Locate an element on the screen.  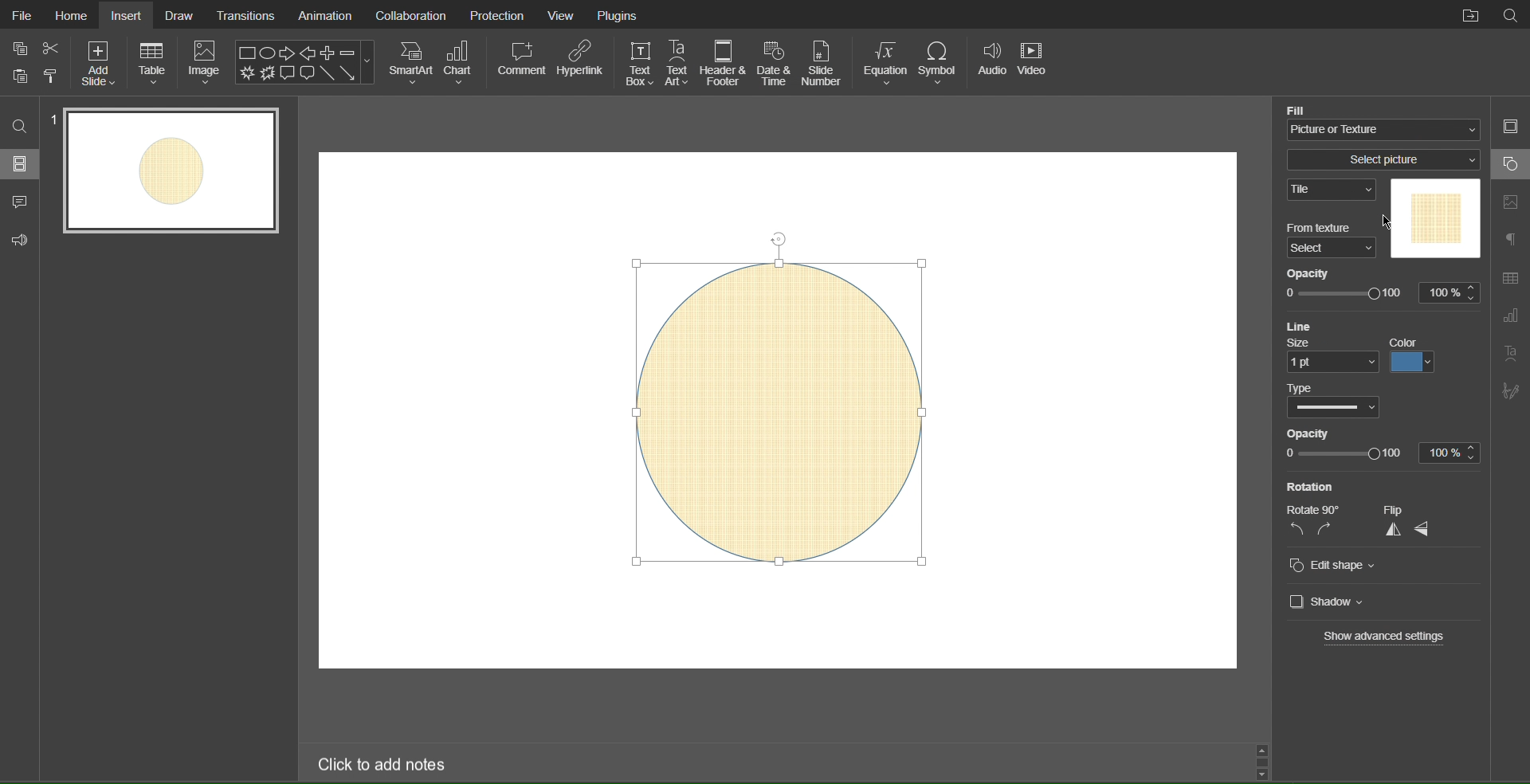
color is located at coordinates (1411, 365).